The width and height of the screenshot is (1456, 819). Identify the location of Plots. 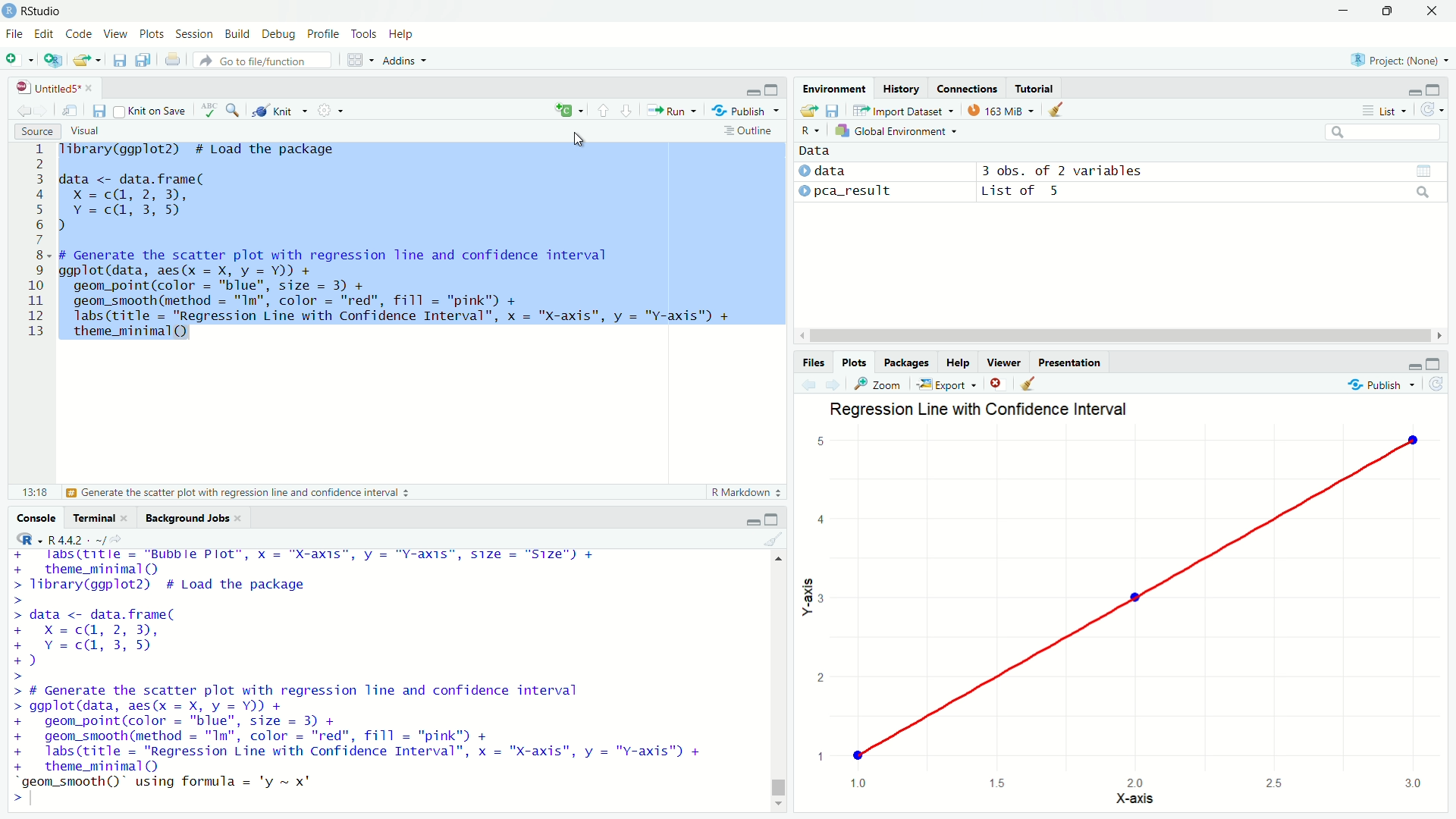
(151, 34).